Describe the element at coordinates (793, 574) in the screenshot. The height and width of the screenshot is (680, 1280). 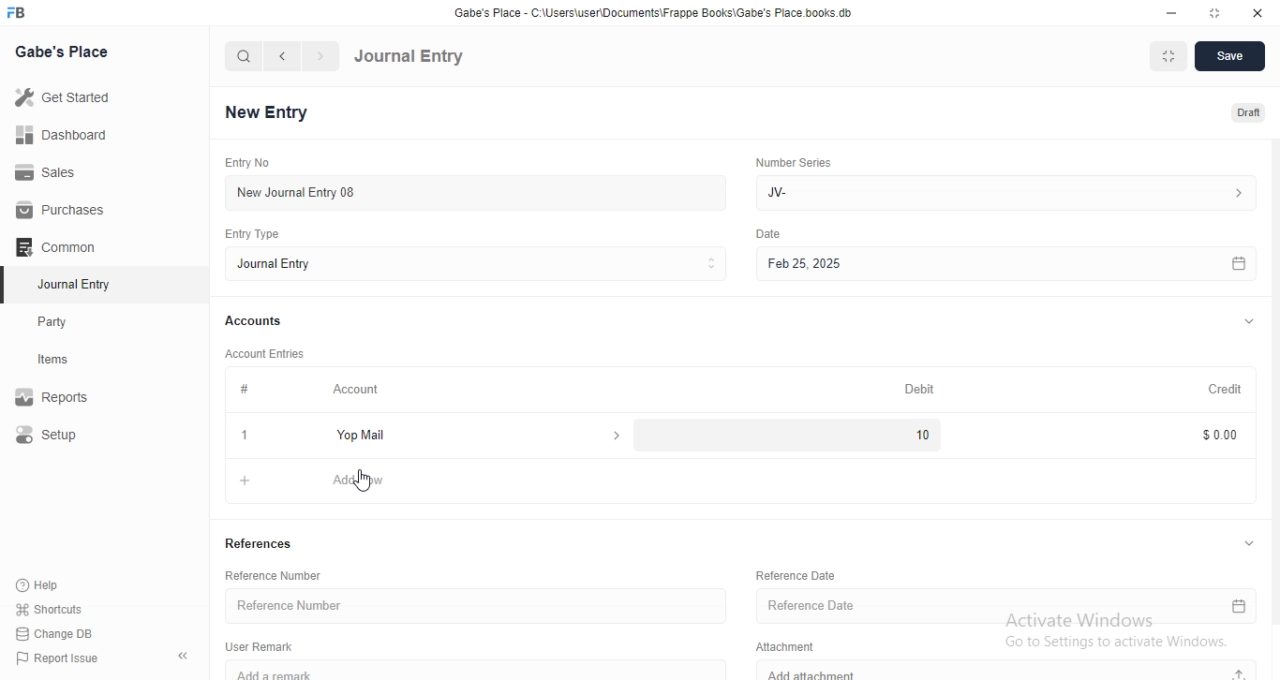
I see `Reference Date` at that location.